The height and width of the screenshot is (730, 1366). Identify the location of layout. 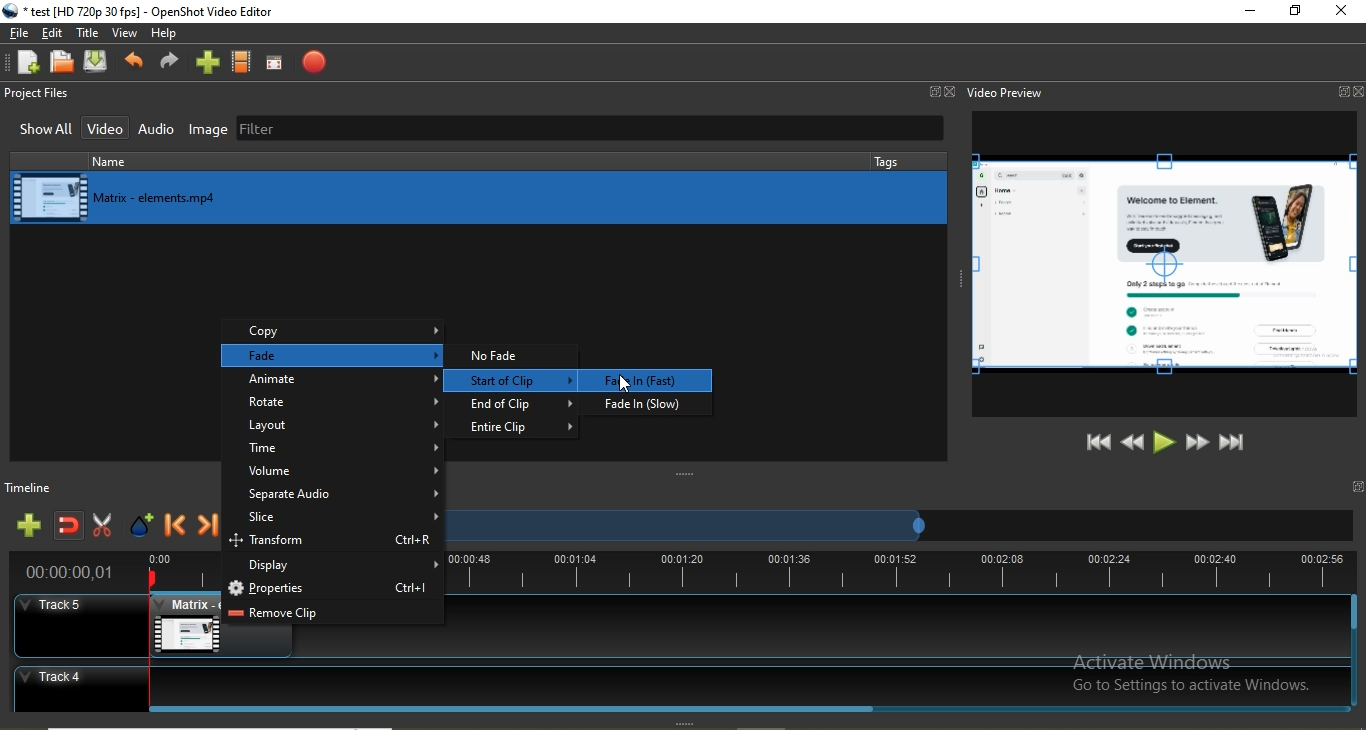
(337, 425).